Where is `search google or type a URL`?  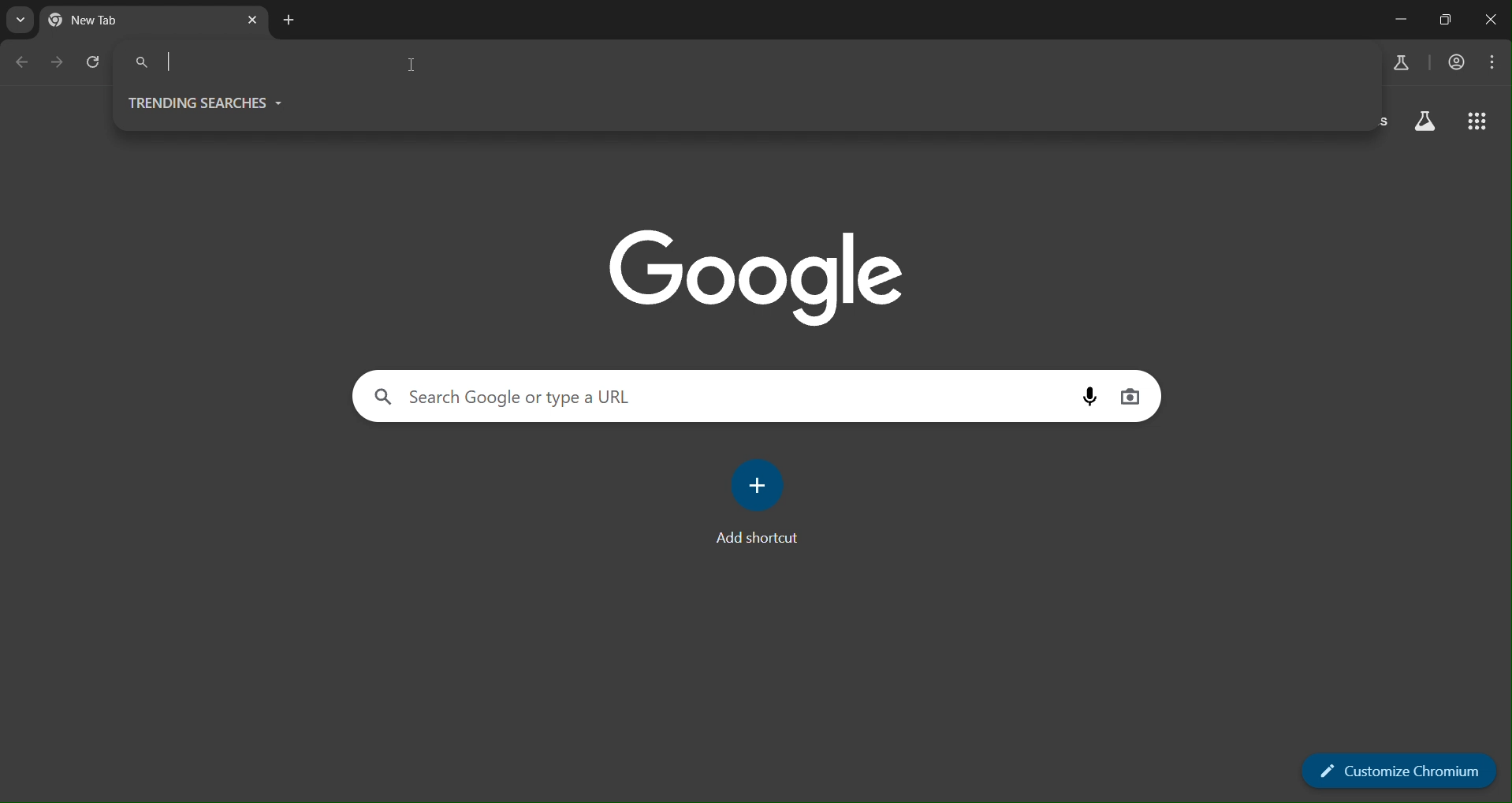 search google or type a URL is located at coordinates (720, 396).